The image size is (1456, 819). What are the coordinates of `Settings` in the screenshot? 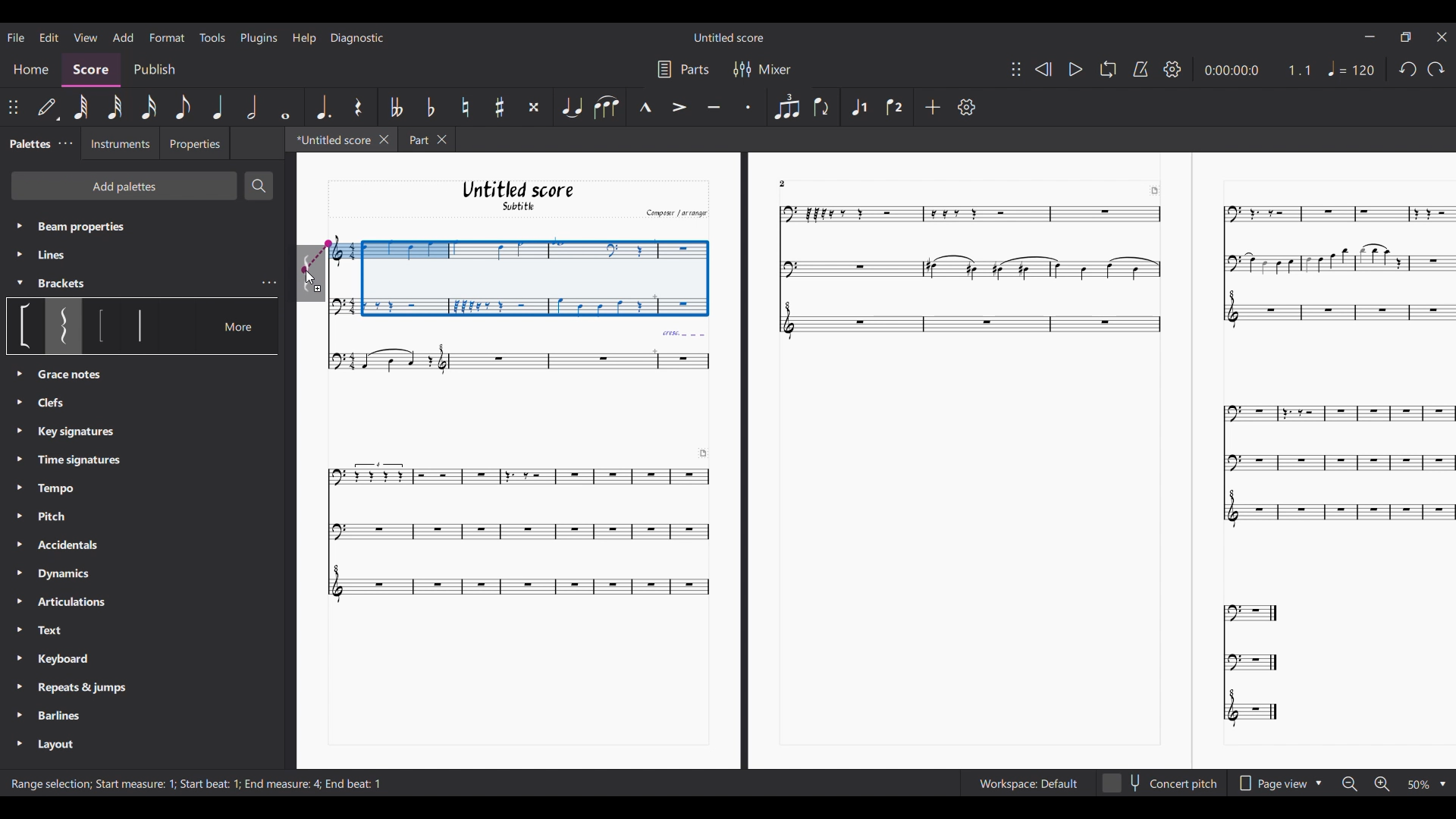 It's located at (966, 107).